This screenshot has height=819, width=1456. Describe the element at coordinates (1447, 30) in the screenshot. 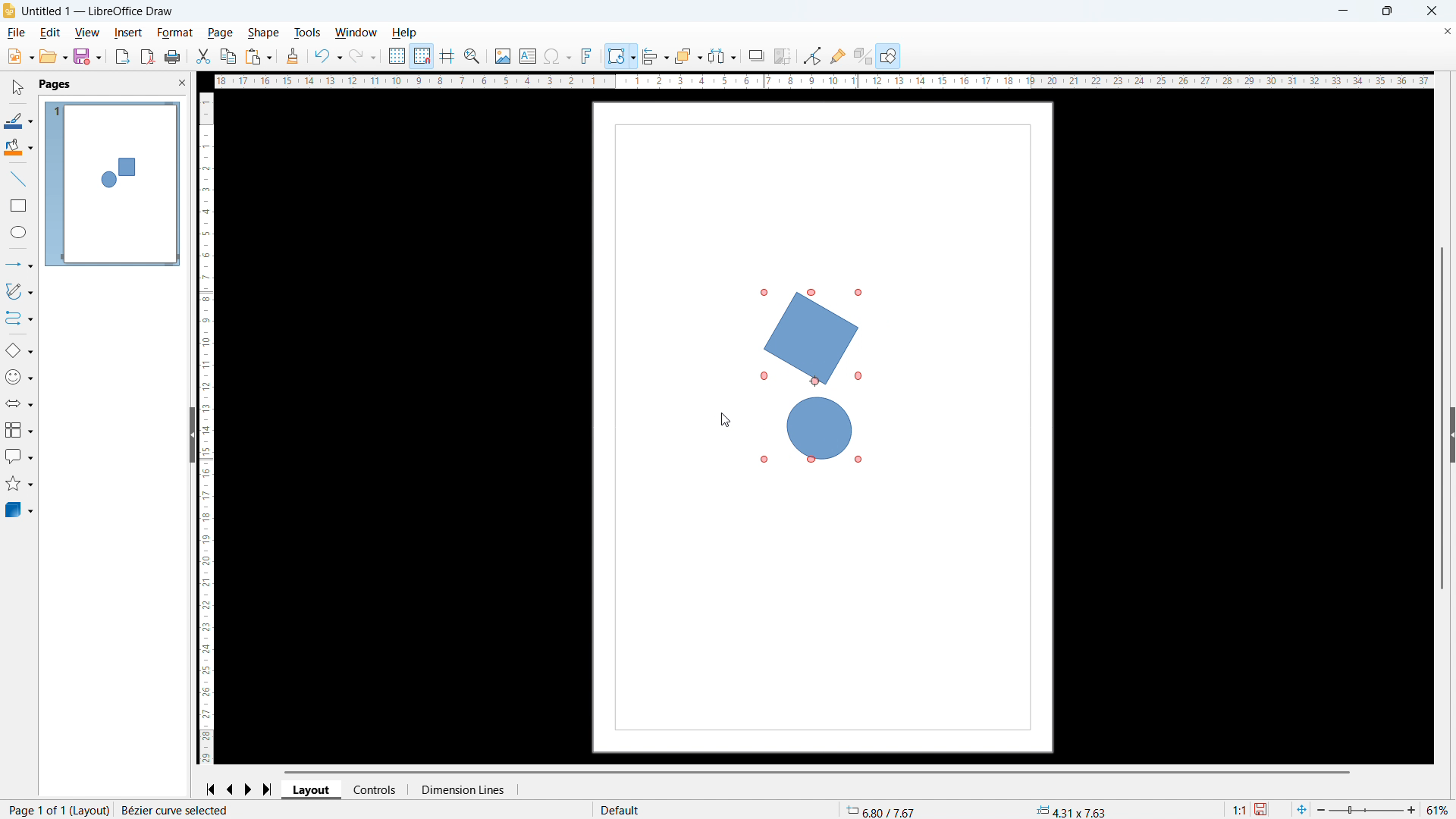

I see `Close document ` at that location.